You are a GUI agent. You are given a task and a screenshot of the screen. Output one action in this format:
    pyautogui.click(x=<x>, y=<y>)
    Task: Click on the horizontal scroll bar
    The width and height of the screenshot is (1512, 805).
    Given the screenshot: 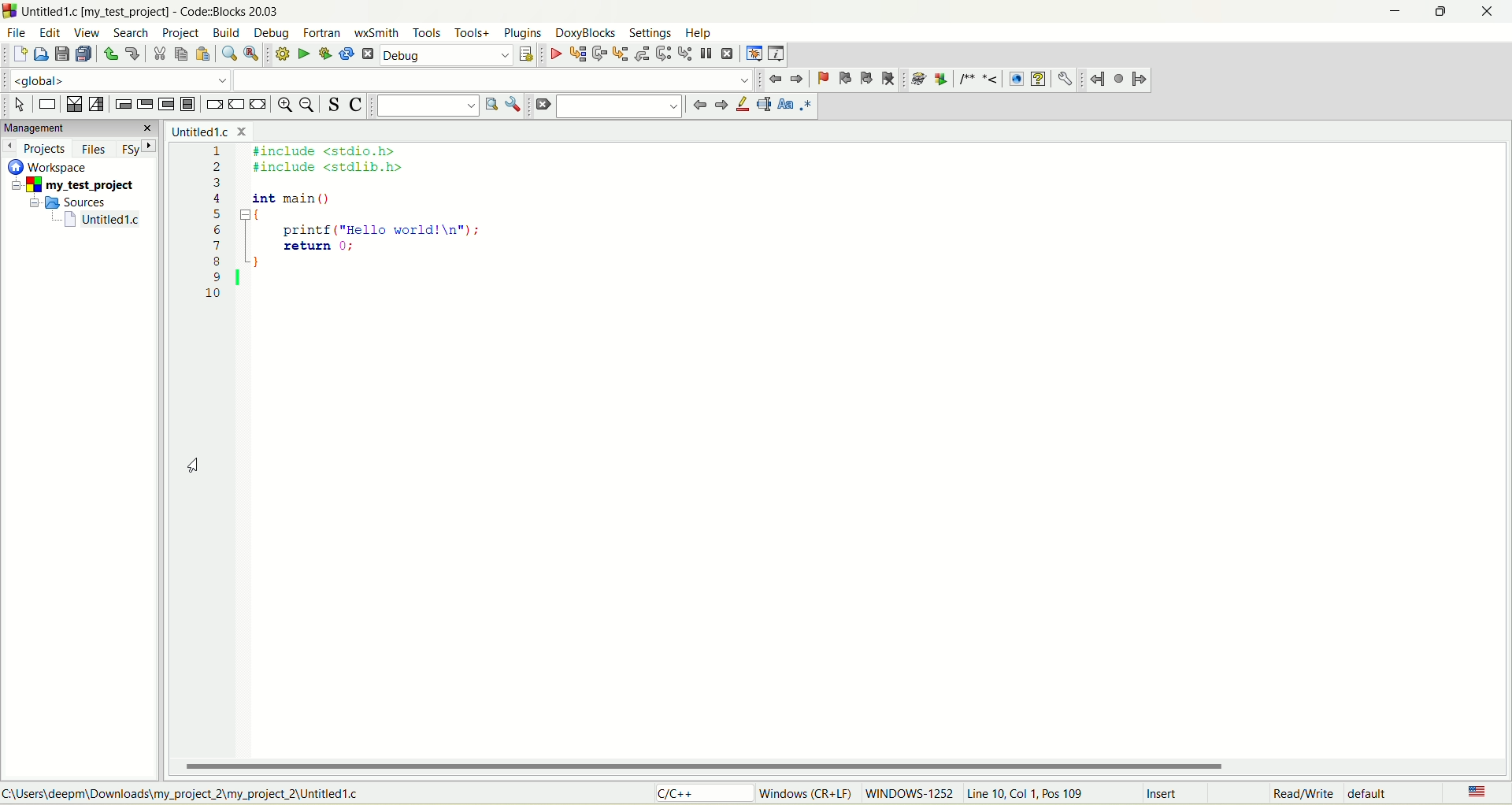 What is the action you would take?
    pyautogui.click(x=840, y=766)
    